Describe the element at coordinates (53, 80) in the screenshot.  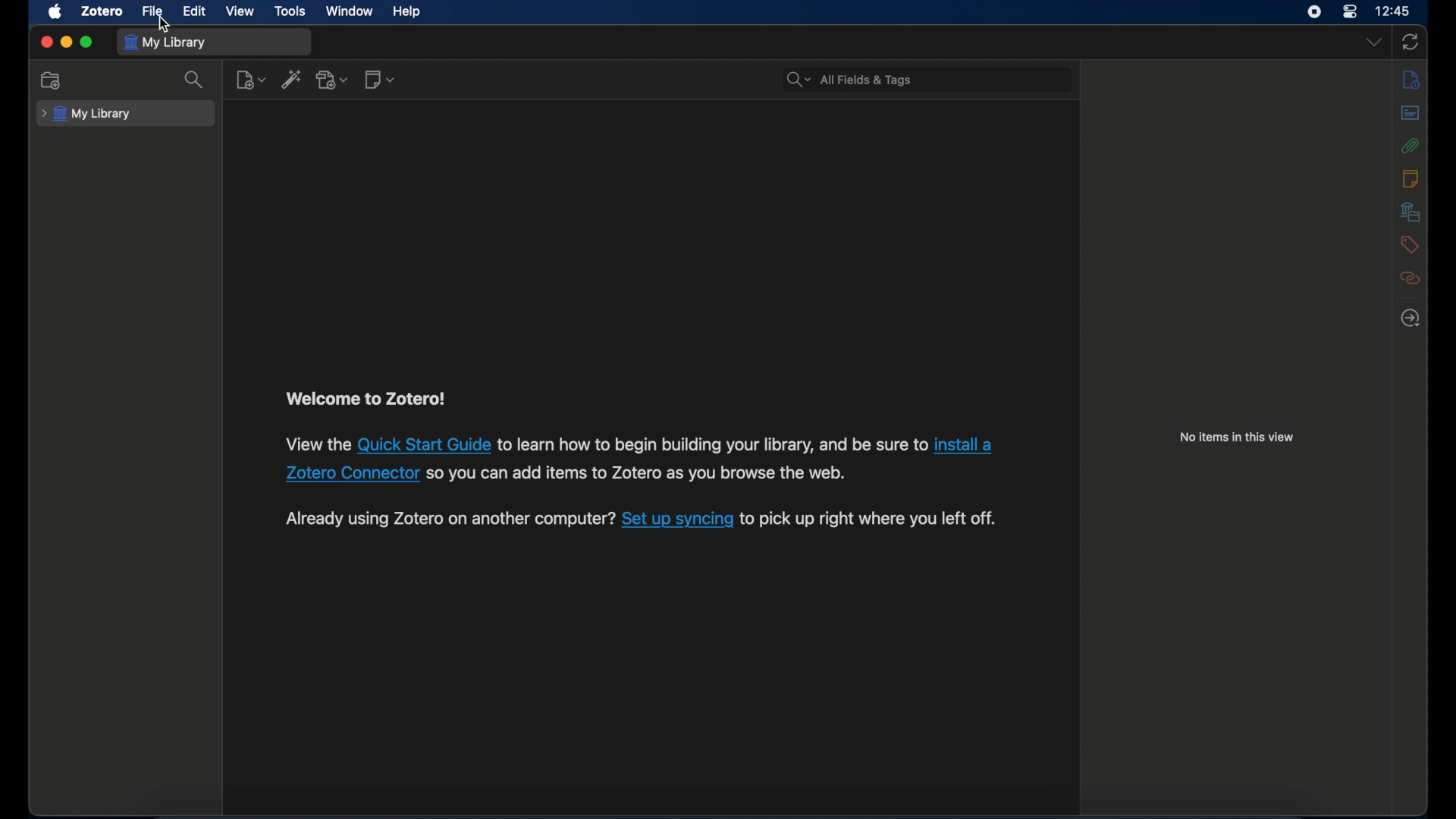
I see `new collection` at that location.